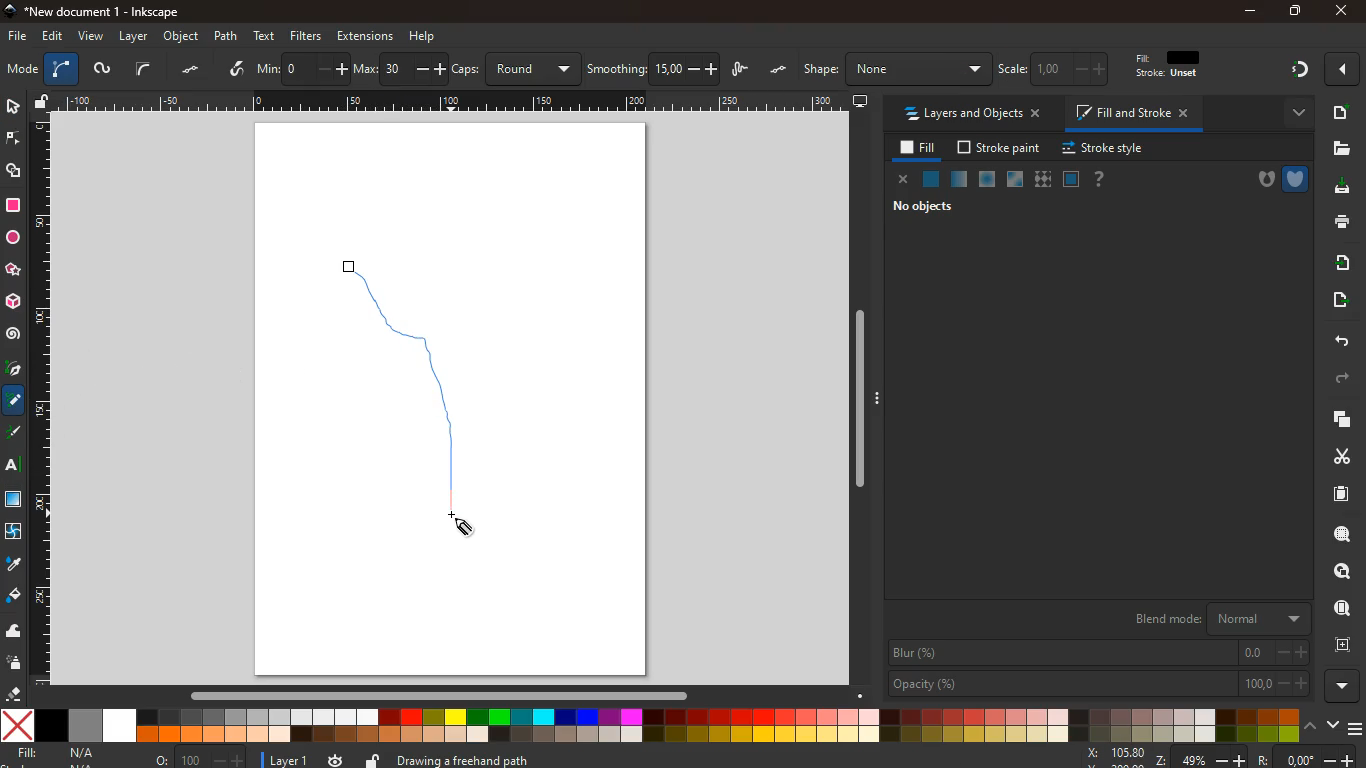 This screenshot has height=768, width=1366. What do you see at coordinates (1298, 177) in the screenshot?
I see `shield` at bounding box center [1298, 177].